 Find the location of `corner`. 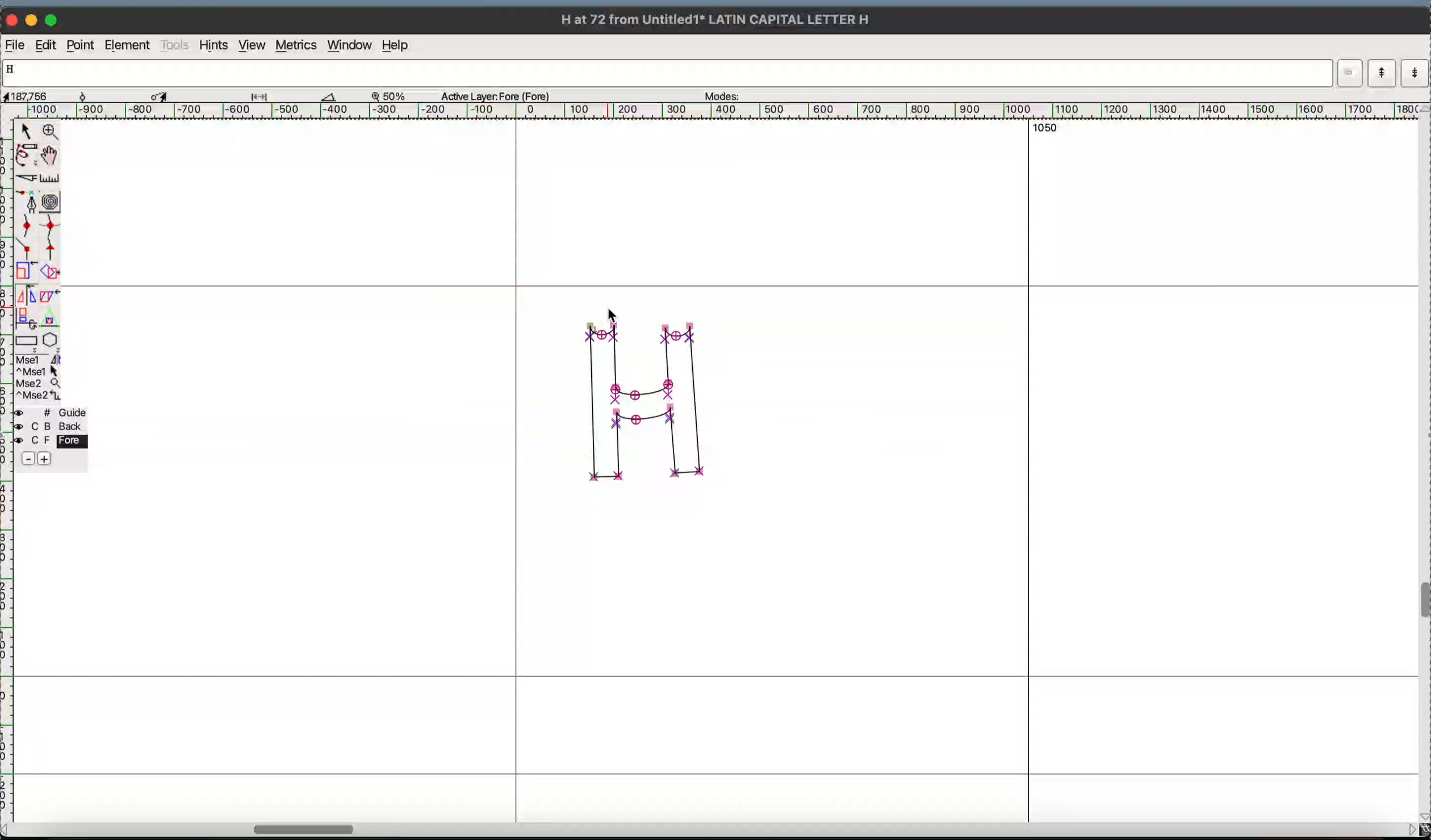

corner is located at coordinates (28, 251).